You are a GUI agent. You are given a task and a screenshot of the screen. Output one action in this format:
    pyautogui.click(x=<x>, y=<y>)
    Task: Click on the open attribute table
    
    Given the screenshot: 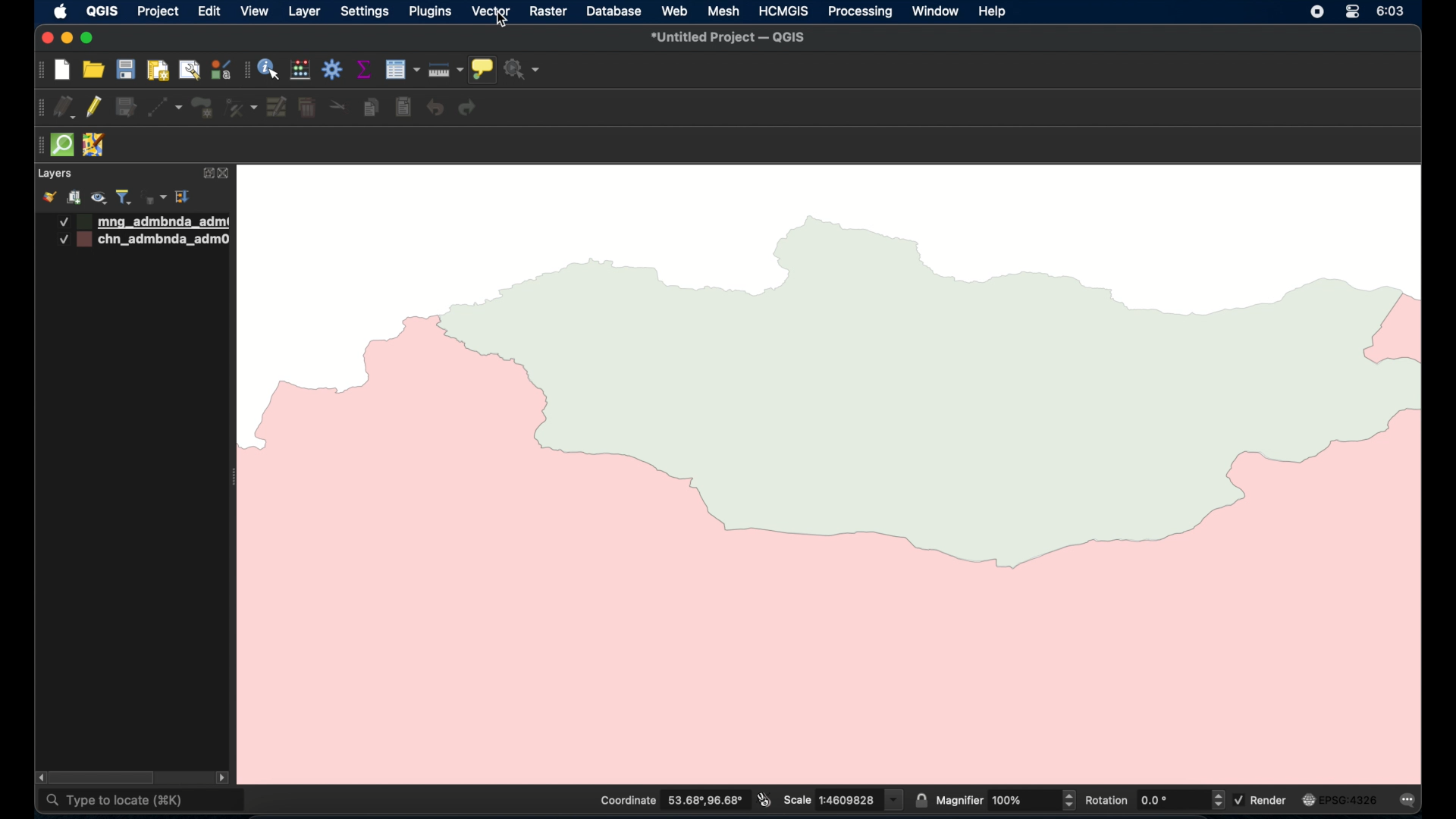 What is the action you would take?
    pyautogui.click(x=402, y=70)
    